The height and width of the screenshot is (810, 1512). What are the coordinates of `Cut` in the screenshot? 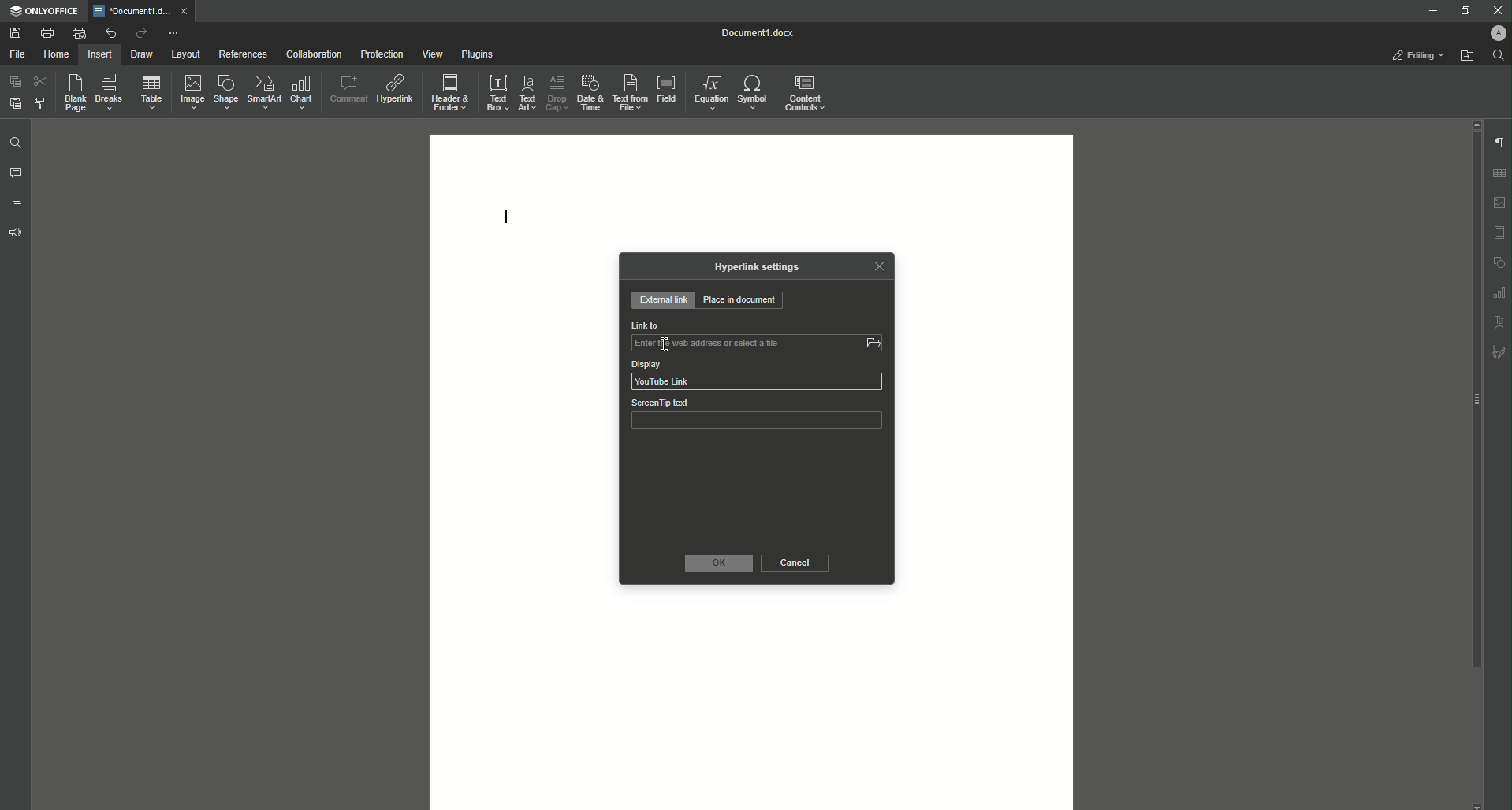 It's located at (39, 82).